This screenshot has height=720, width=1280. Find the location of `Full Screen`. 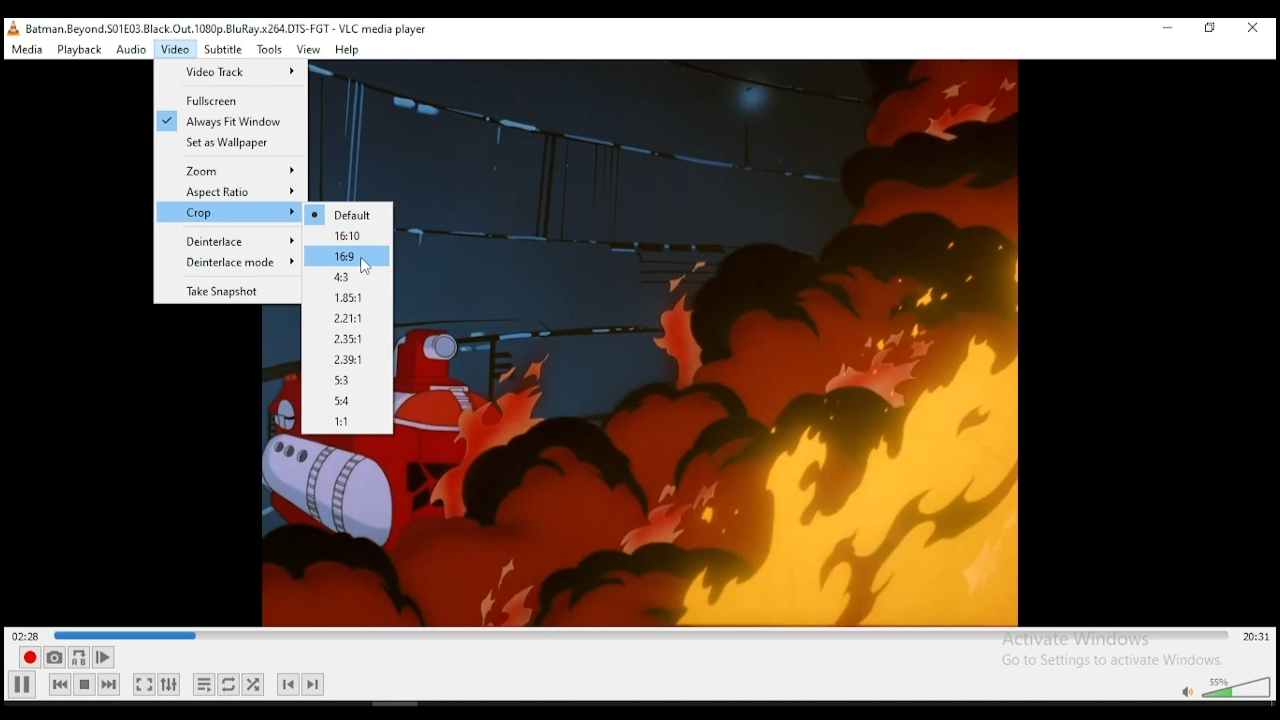

Full Screen is located at coordinates (223, 98).